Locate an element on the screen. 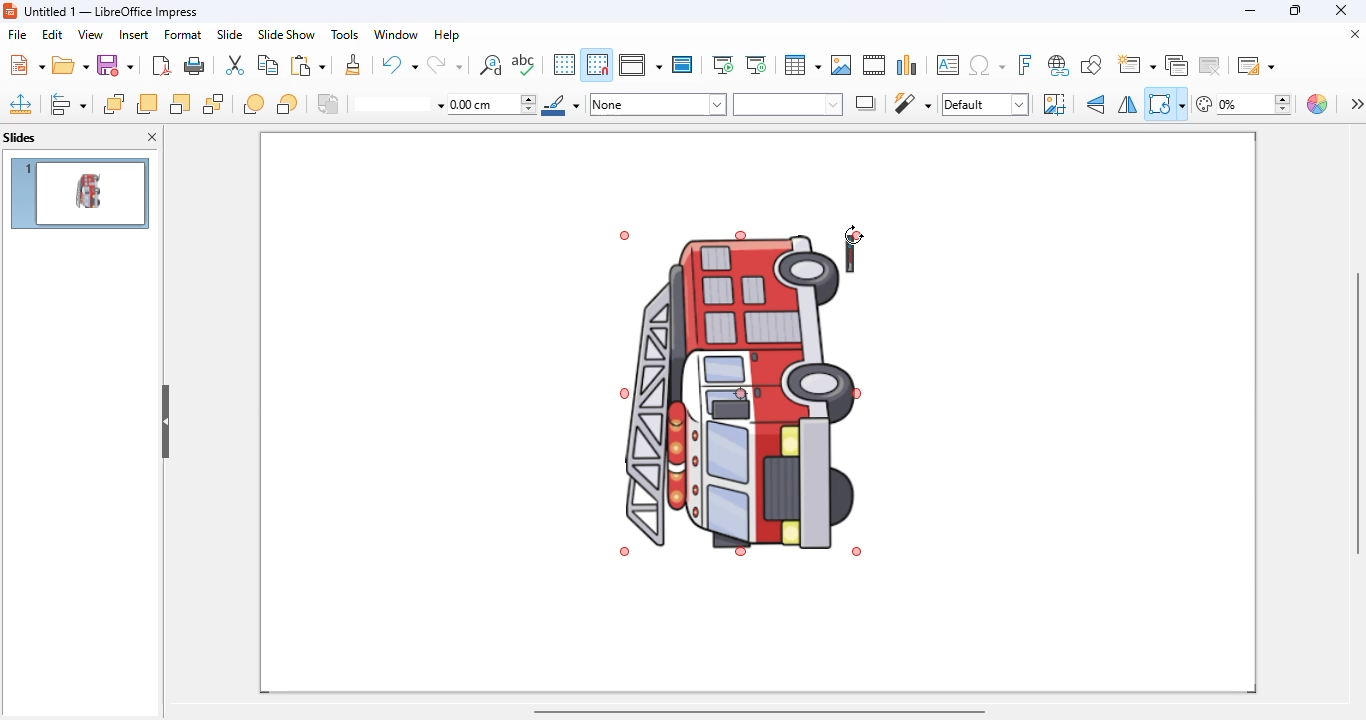 This screenshot has height=720, width=1366. slide layout is located at coordinates (1254, 64).